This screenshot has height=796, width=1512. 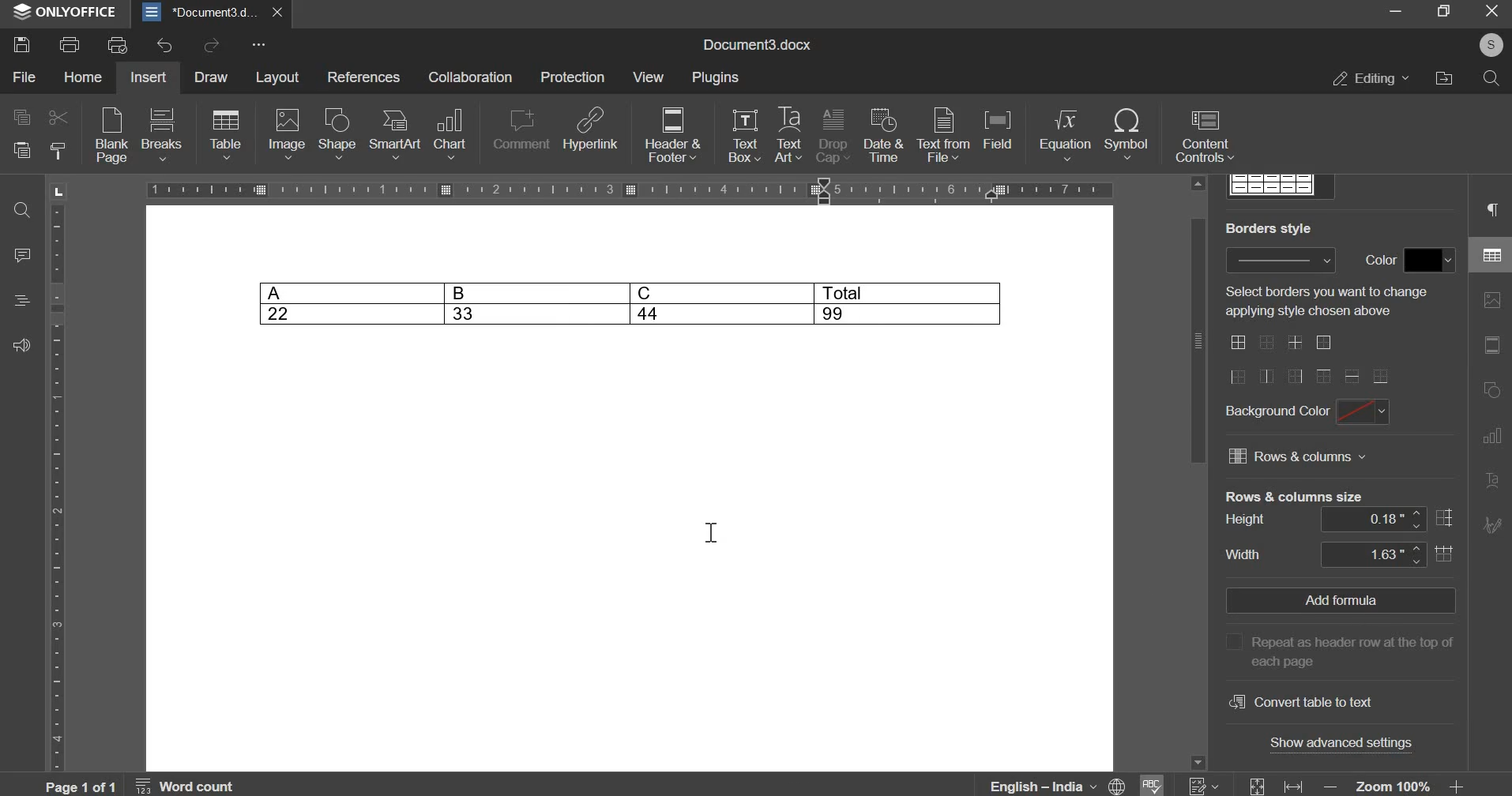 What do you see at coordinates (394, 133) in the screenshot?
I see `smart art` at bounding box center [394, 133].